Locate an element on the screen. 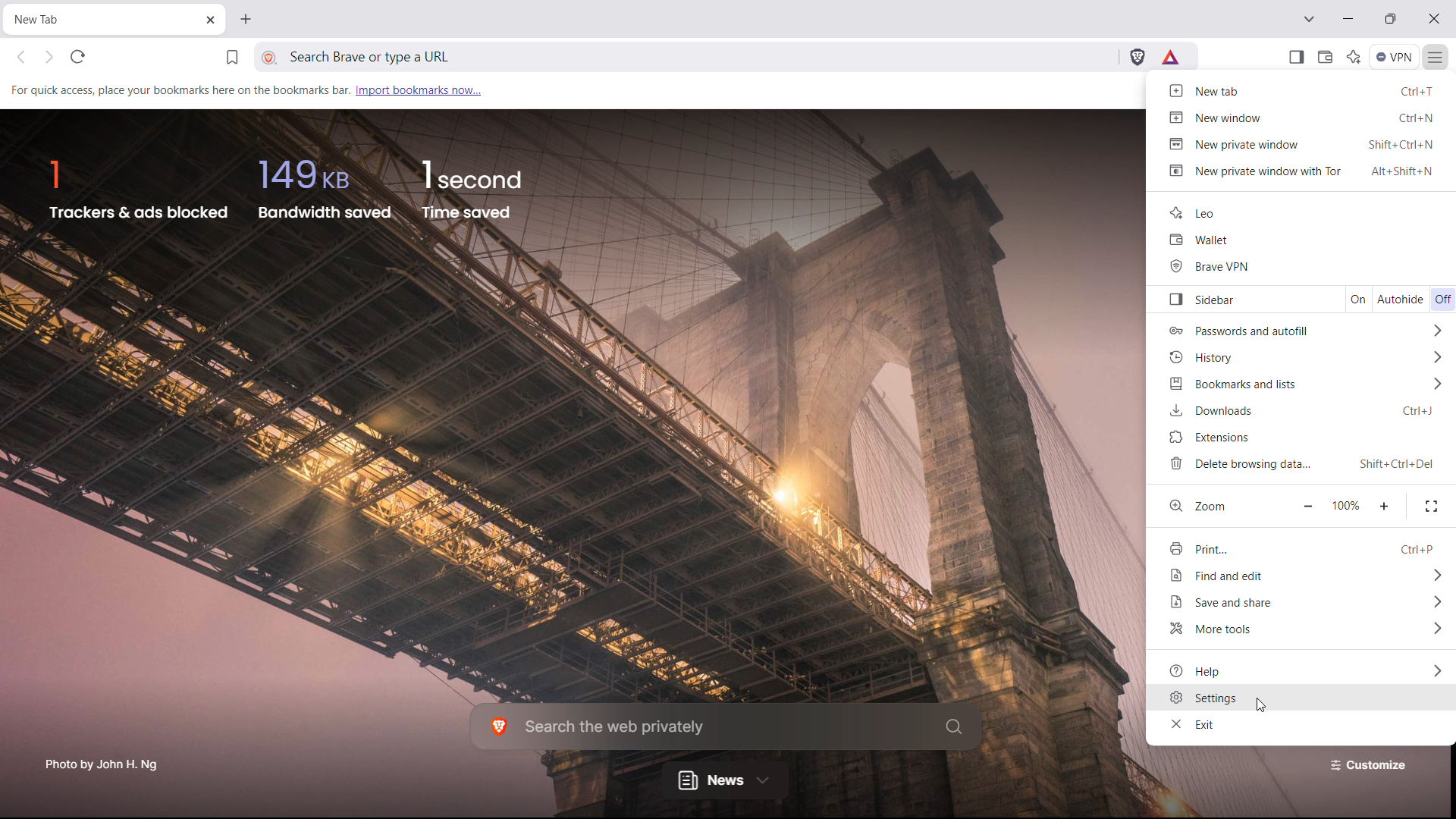 The height and width of the screenshot is (819, 1456). bookmark this tab is located at coordinates (232, 59).